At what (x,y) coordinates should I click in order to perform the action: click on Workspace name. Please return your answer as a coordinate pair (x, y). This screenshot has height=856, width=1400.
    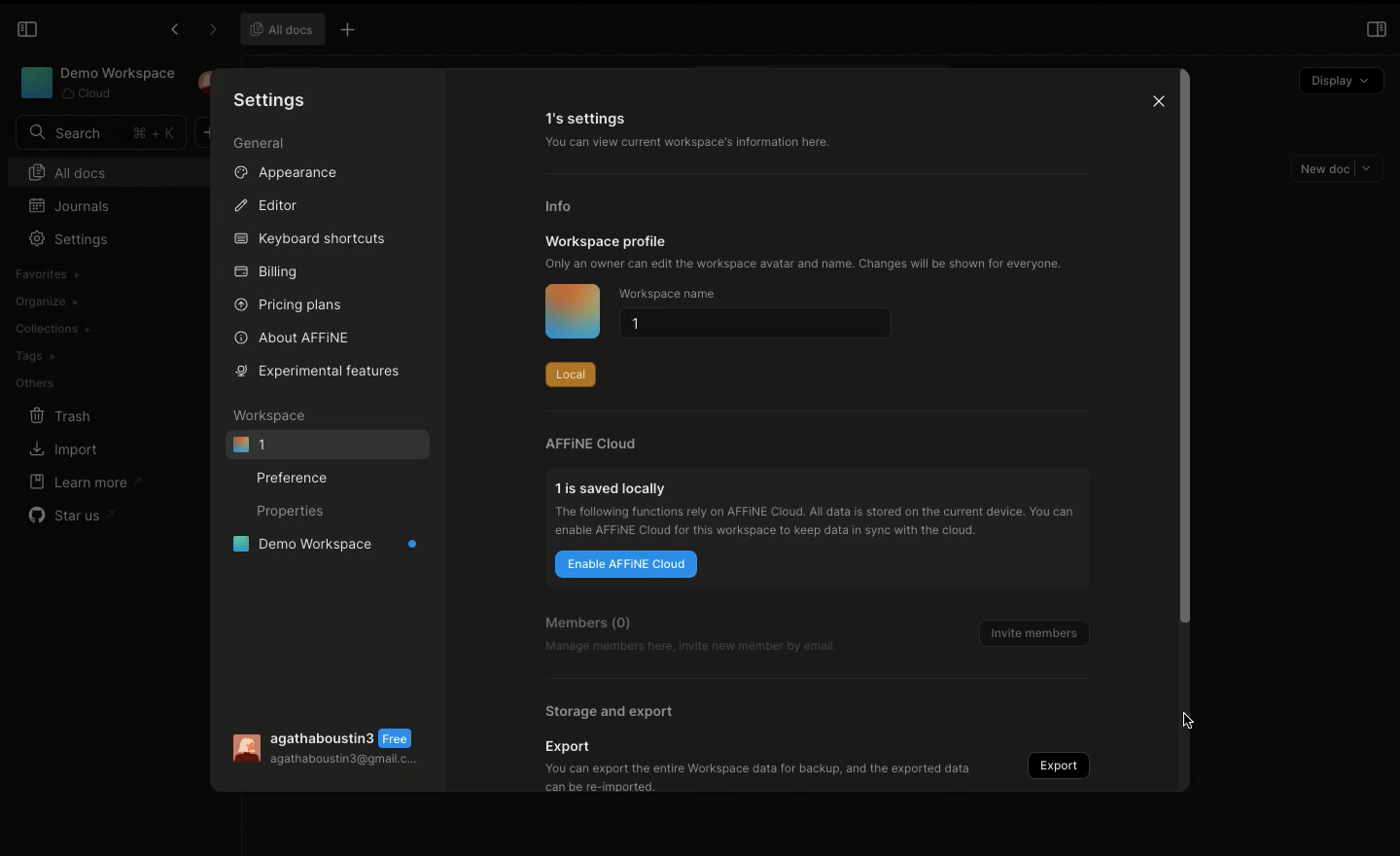
    Looking at the image, I should click on (688, 292).